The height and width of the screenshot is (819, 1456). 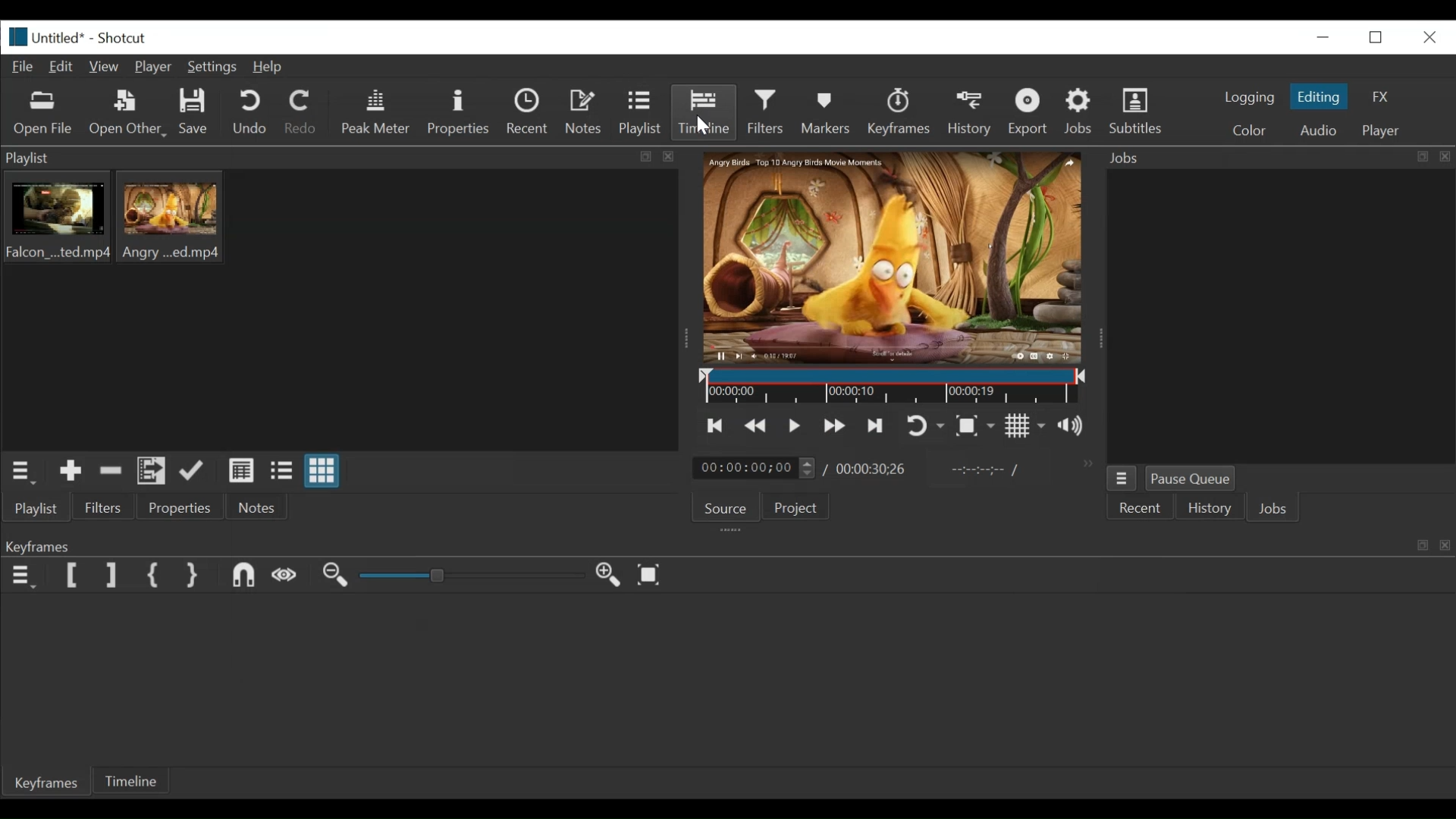 What do you see at coordinates (138, 779) in the screenshot?
I see `Timeline` at bounding box center [138, 779].